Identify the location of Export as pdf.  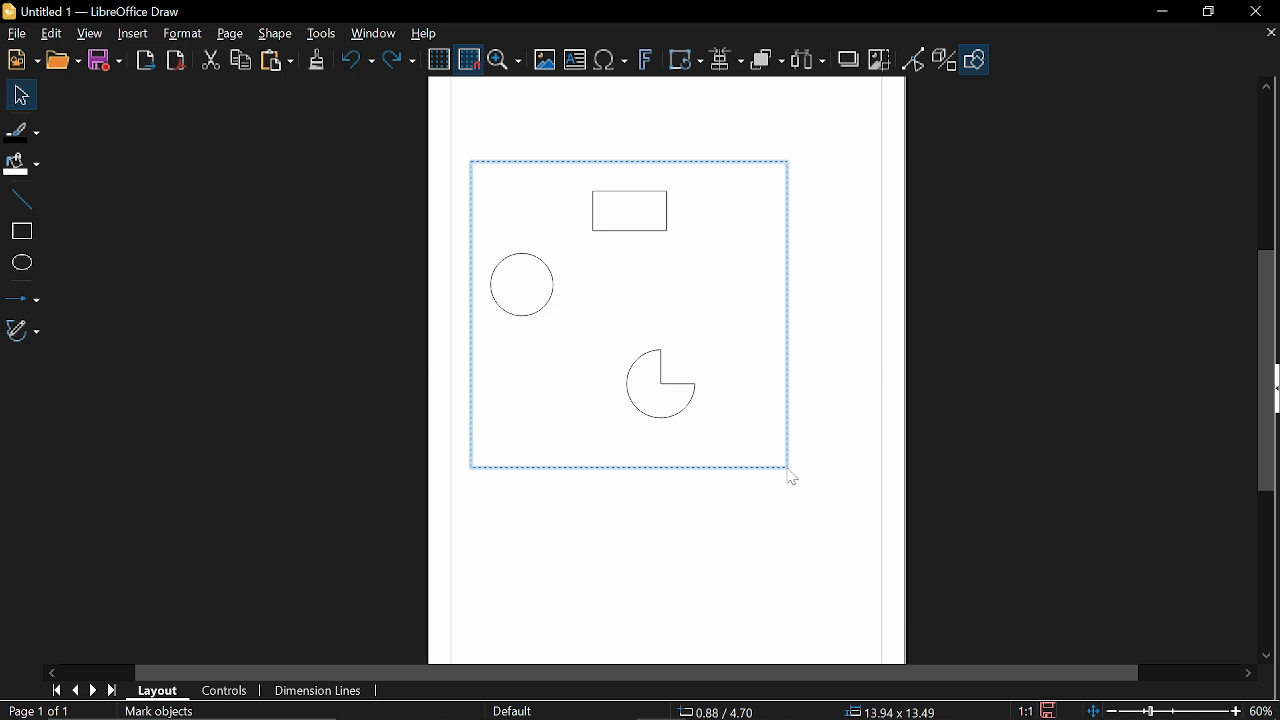
(175, 61).